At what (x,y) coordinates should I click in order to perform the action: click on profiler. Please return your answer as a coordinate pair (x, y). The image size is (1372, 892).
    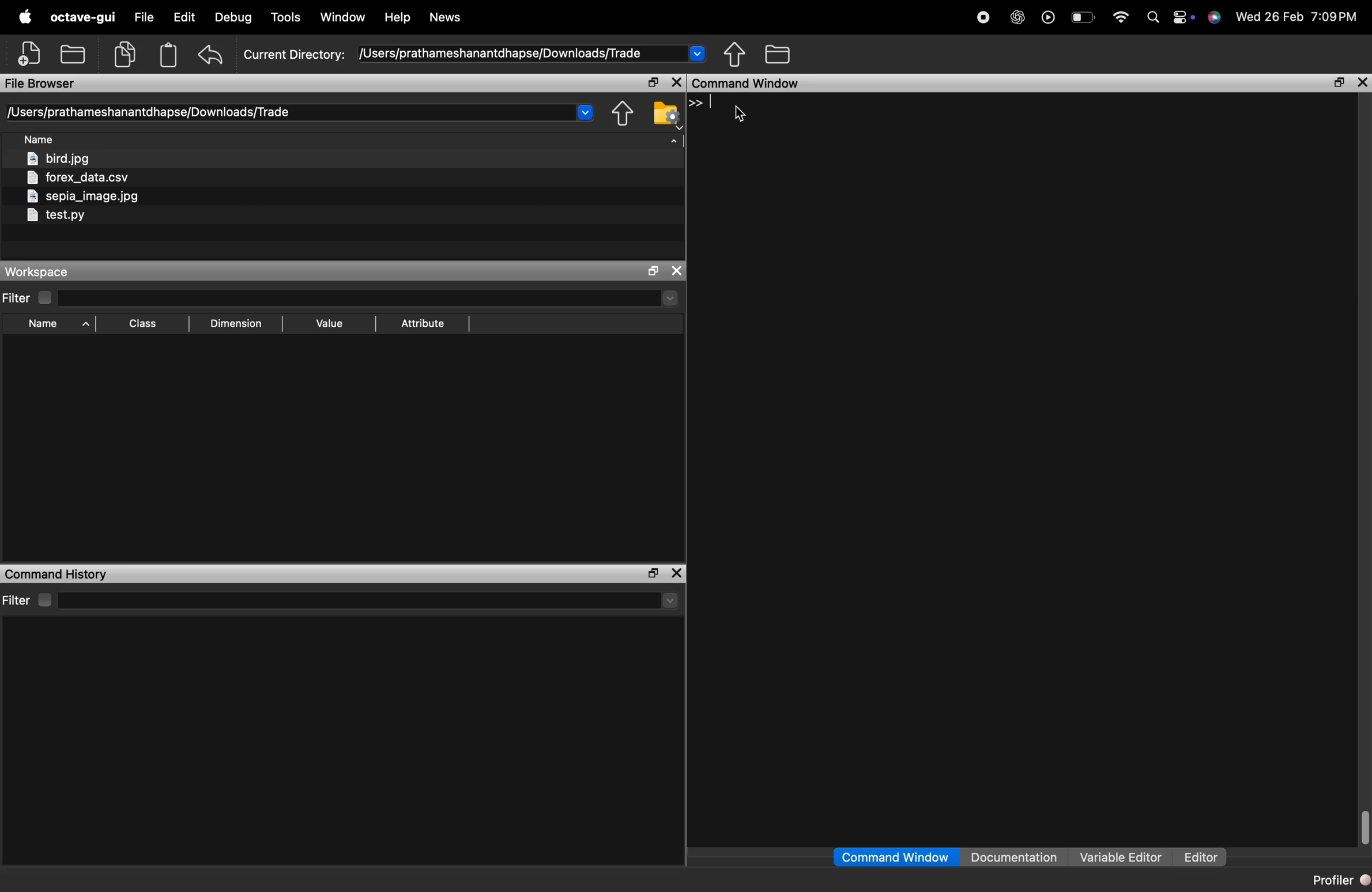
    Looking at the image, I should click on (1339, 882).